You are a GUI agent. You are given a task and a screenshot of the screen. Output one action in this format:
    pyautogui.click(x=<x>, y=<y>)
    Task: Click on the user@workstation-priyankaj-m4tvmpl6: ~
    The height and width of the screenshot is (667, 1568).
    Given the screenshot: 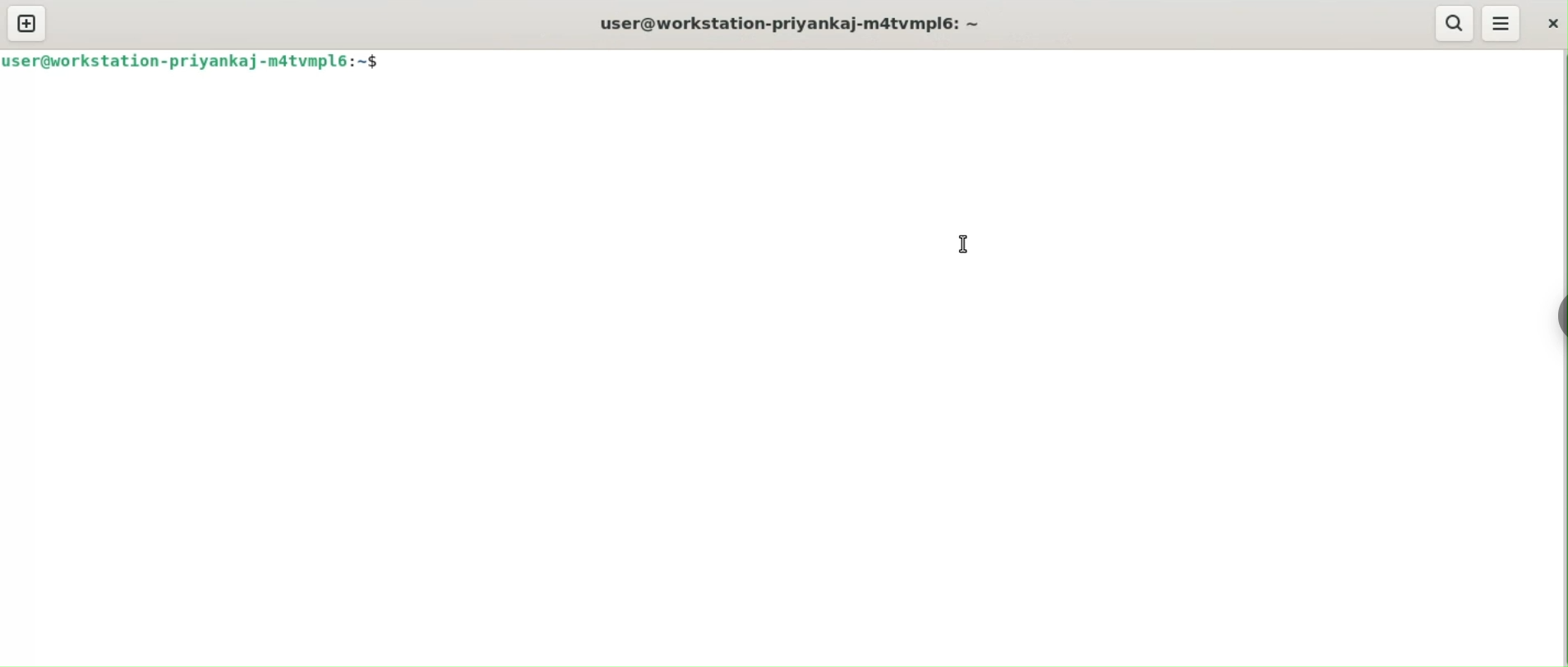 What is the action you would take?
    pyautogui.click(x=786, y=23)
    